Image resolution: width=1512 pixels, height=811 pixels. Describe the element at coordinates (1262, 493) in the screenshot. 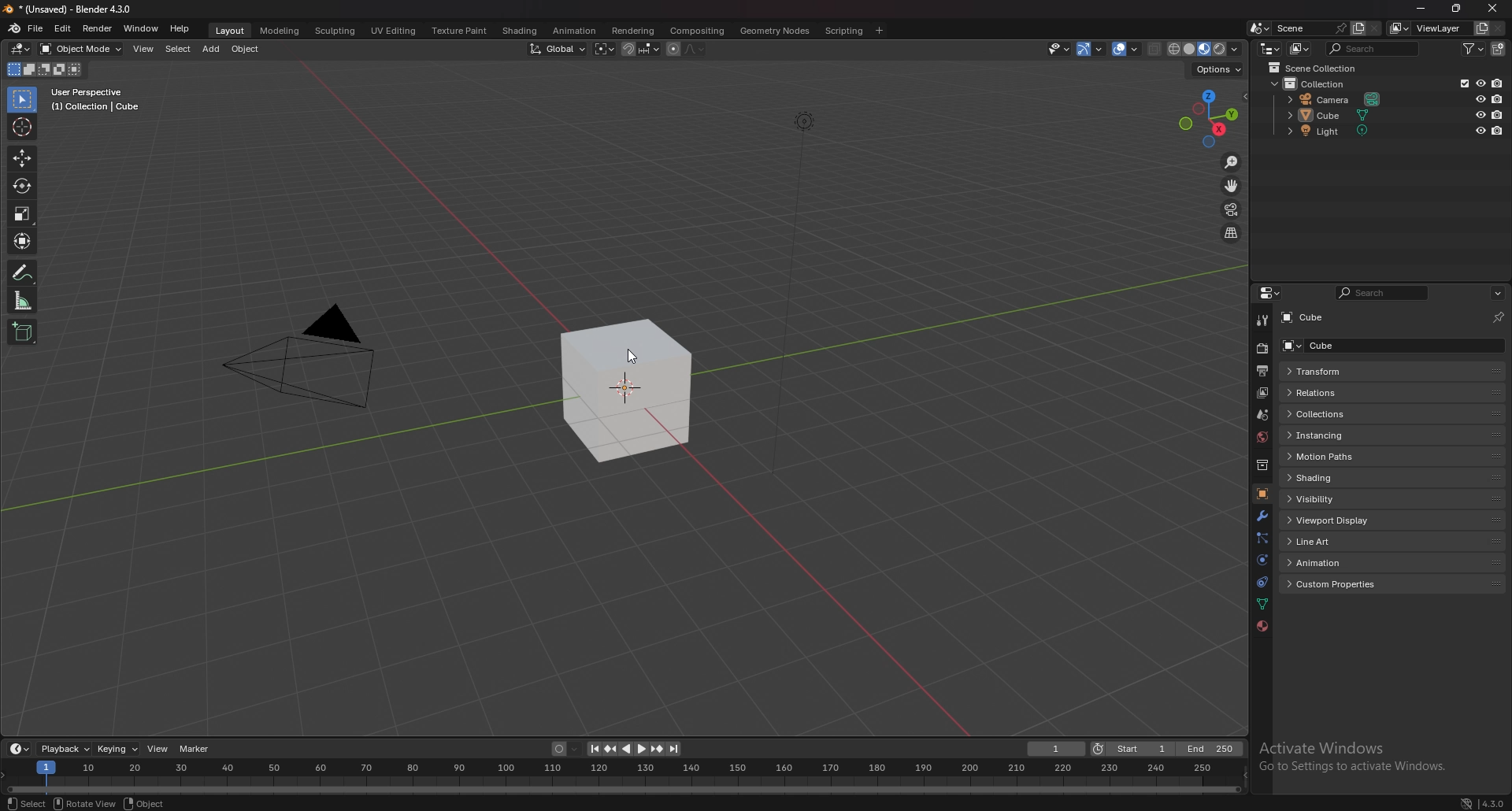

I see `object` at that location.